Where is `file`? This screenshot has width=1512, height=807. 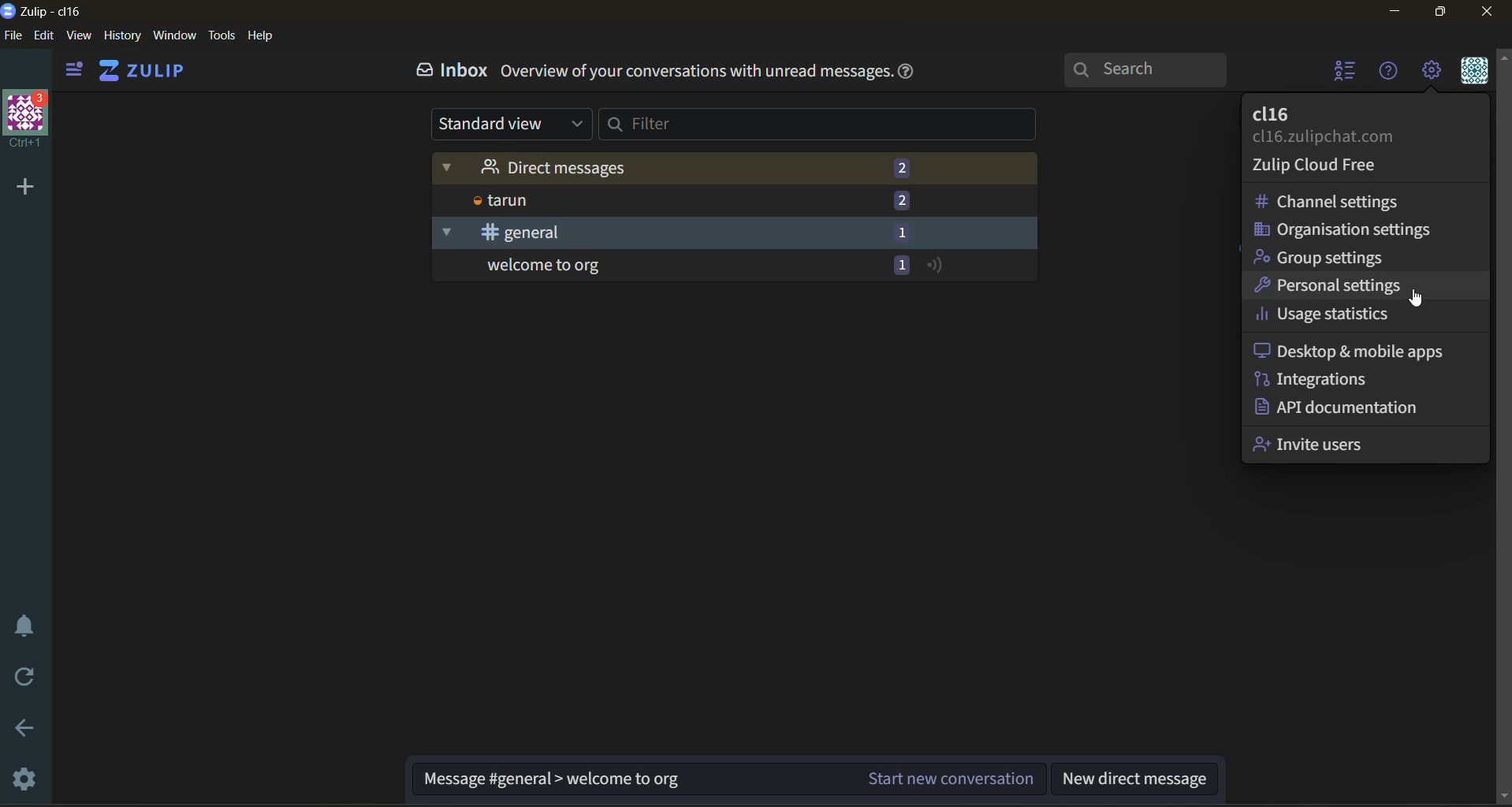
file is located at coordinates (13, 35).